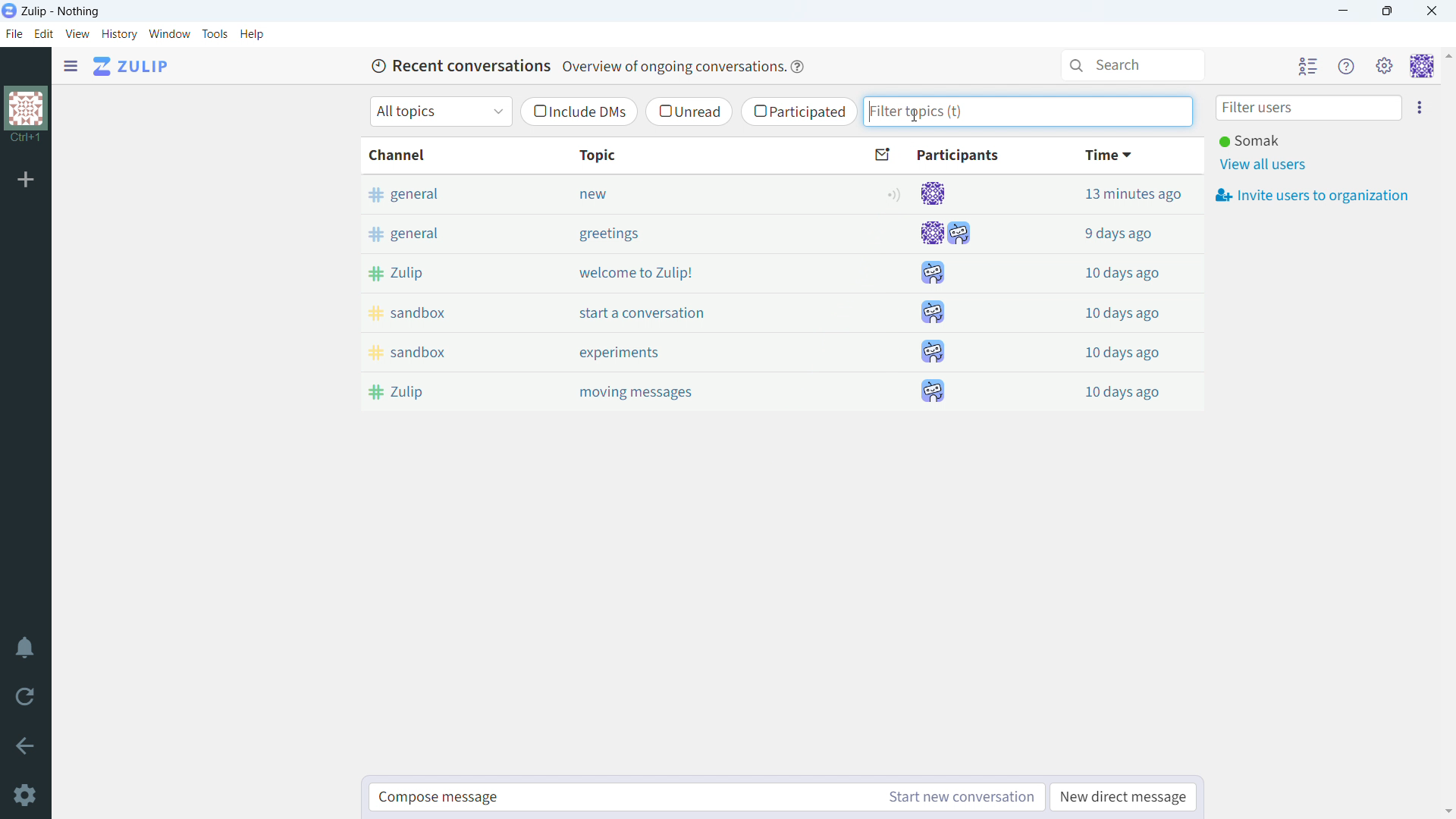 Image resolution: width=1456 pixels, height=819 pixels. Describe the element at coordinates (799, 111) in the screenshot. I see `participated` at that location.